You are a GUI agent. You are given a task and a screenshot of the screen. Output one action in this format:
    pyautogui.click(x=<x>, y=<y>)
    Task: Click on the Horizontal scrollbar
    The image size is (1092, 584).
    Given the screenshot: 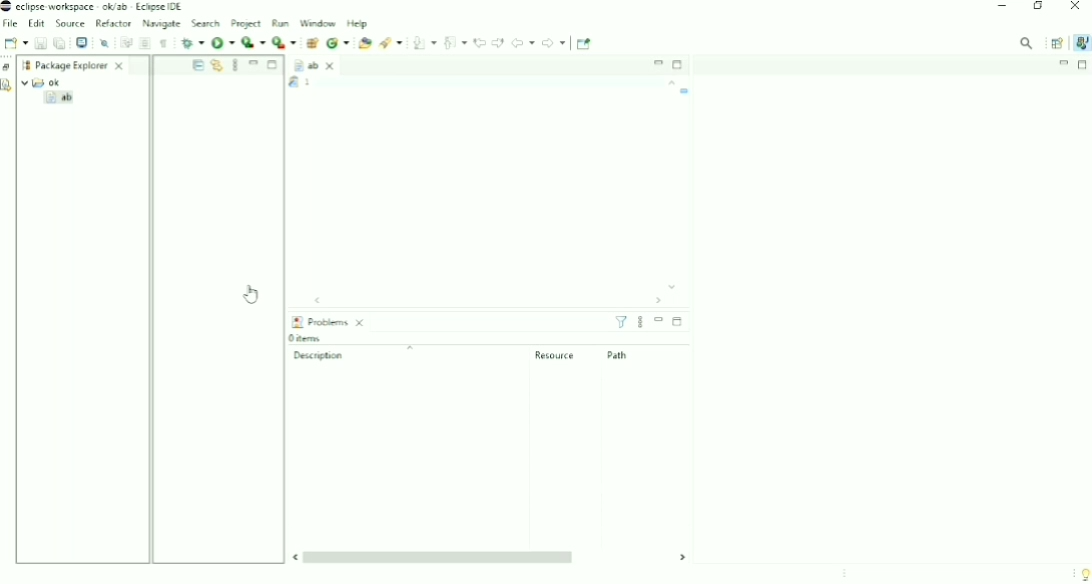 What is the action you would take?
    pyautogui.click(x=476, y=301)
    